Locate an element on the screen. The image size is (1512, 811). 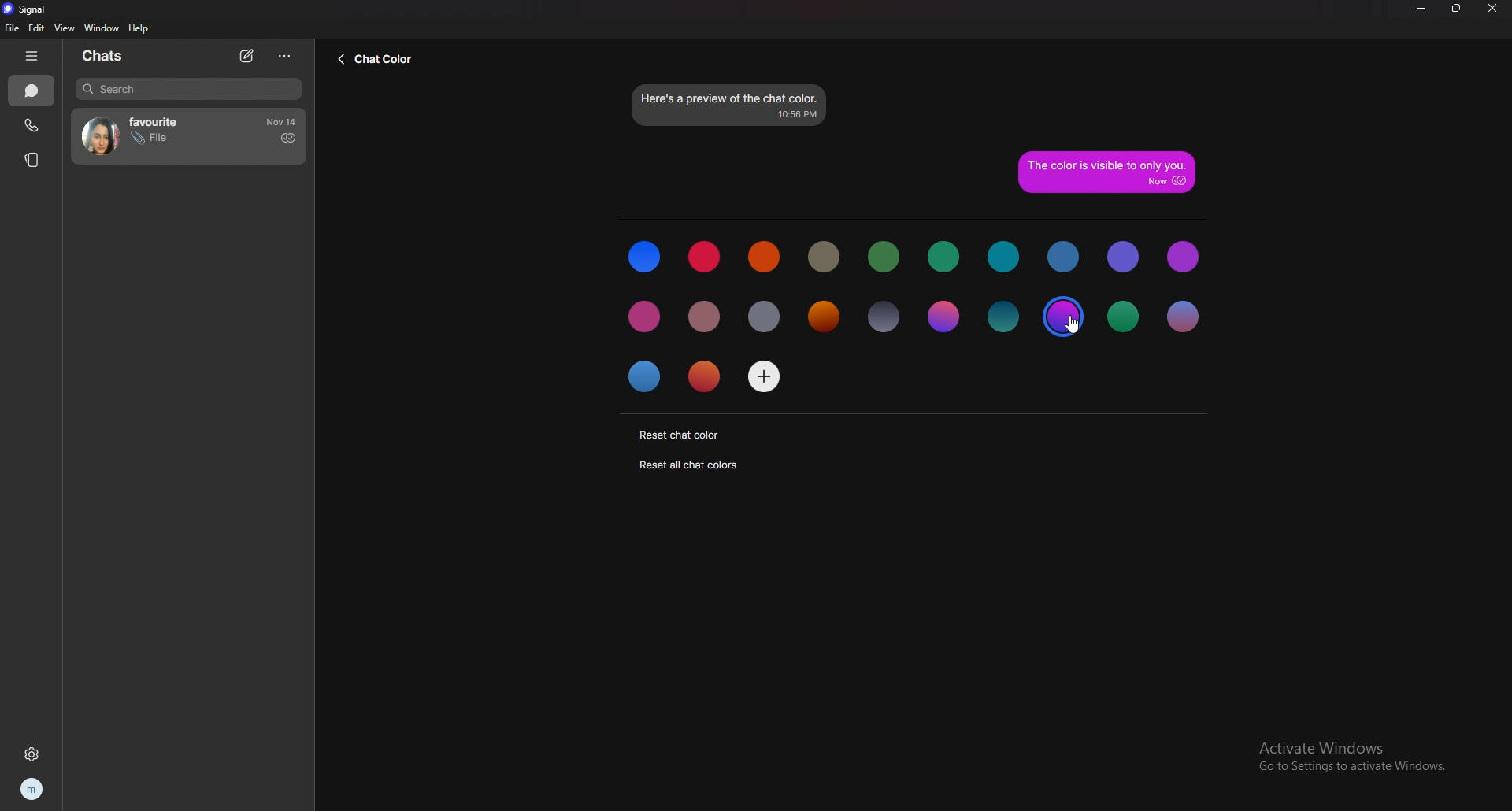
sent is located at coordinates (287, 138).